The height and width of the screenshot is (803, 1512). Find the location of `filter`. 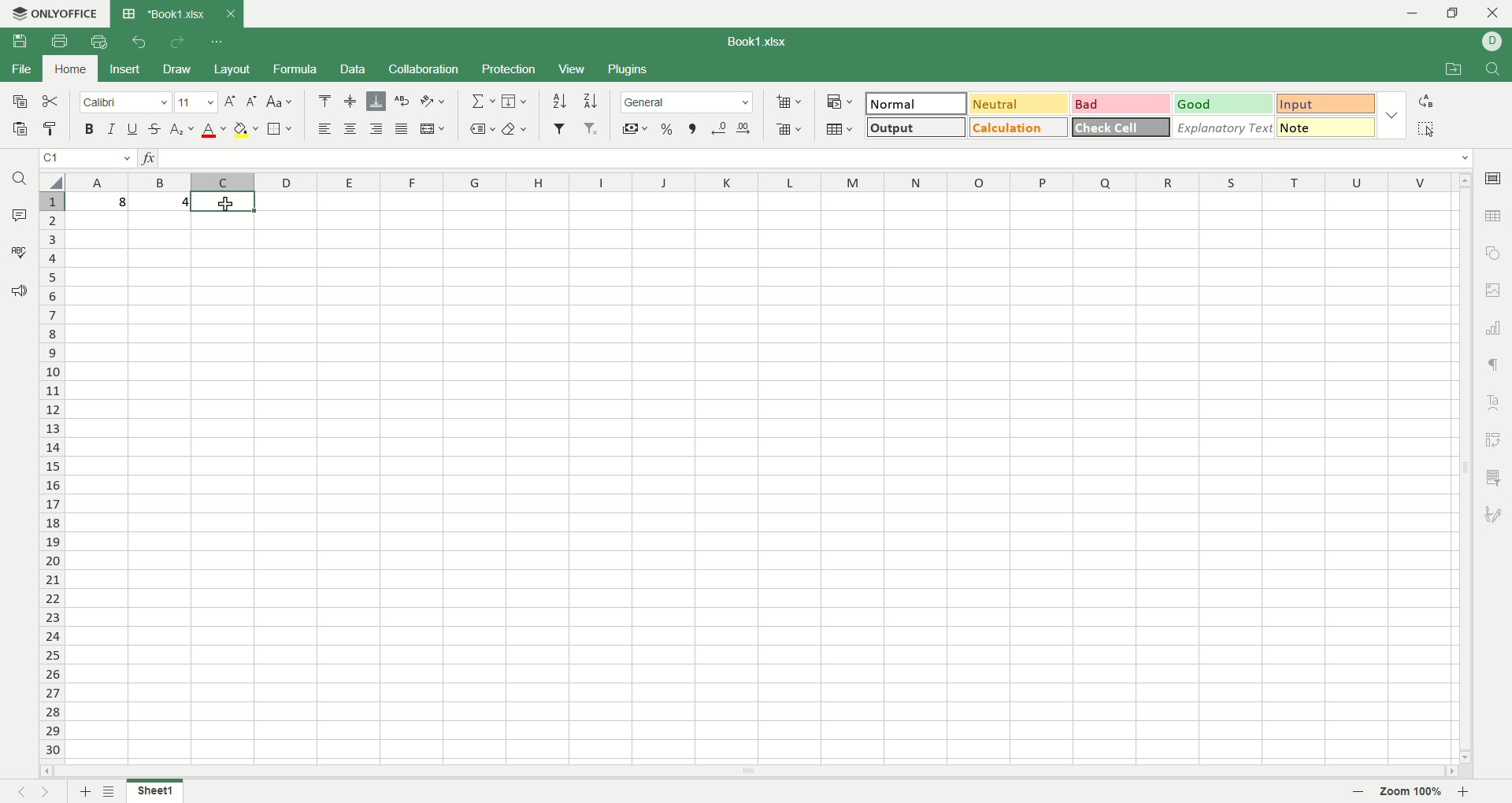

filter is located at coordinates (560, 128).